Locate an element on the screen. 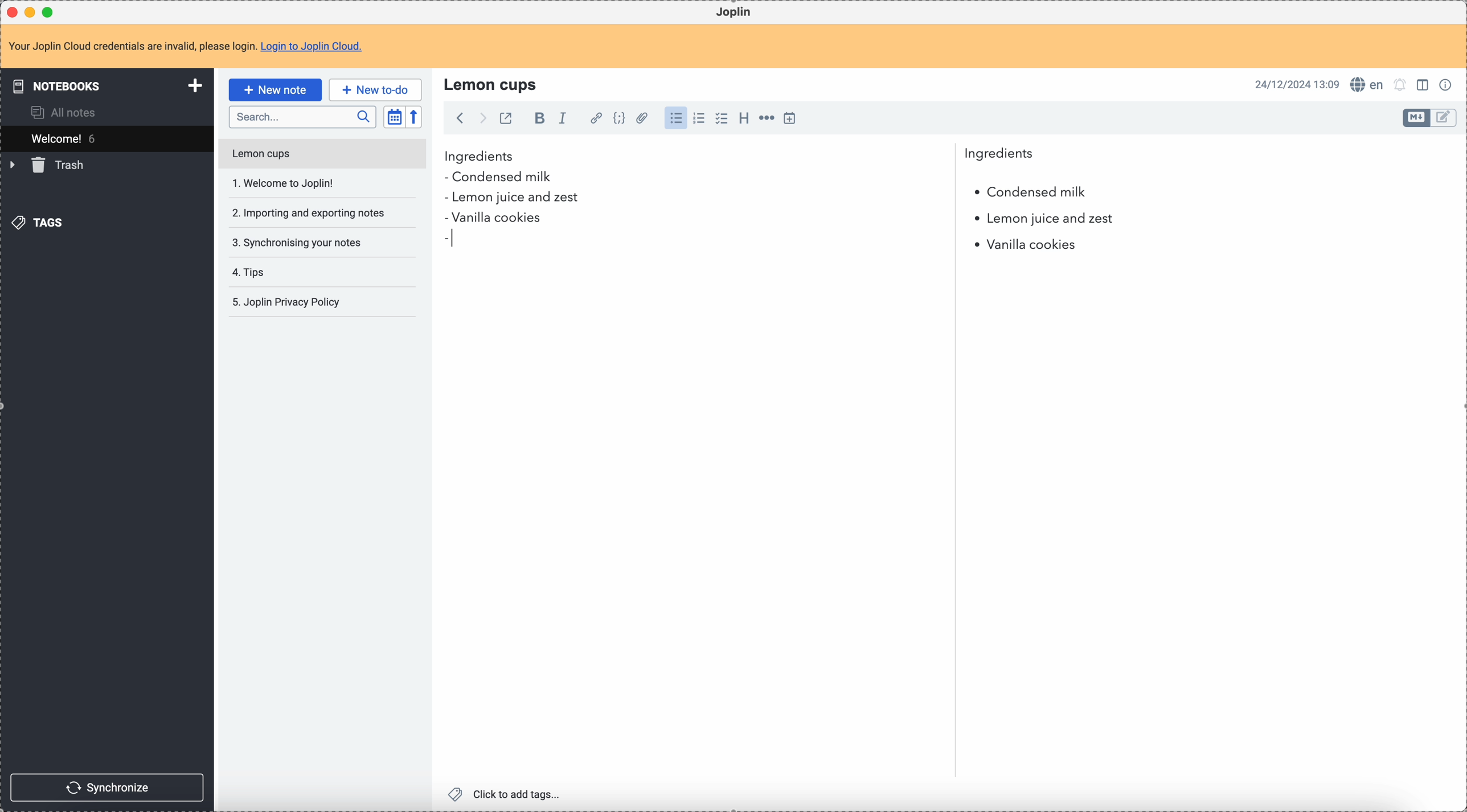 The width and height of the screenshot is (1467, 812). numbered list is located at coordinates (700, 118).